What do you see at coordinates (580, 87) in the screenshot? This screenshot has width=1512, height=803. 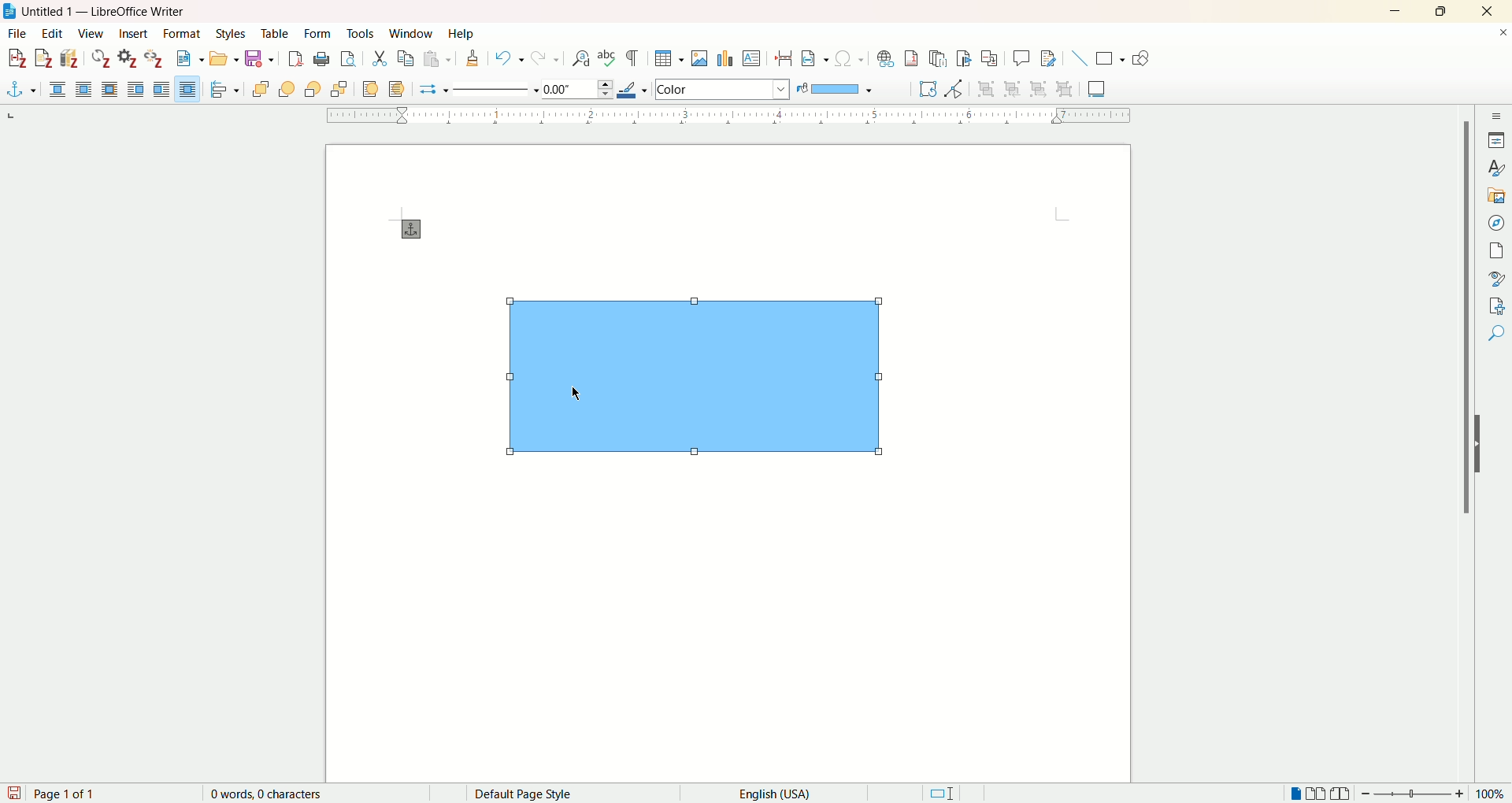 I see `line thickness` at bounding box center [580, 87].